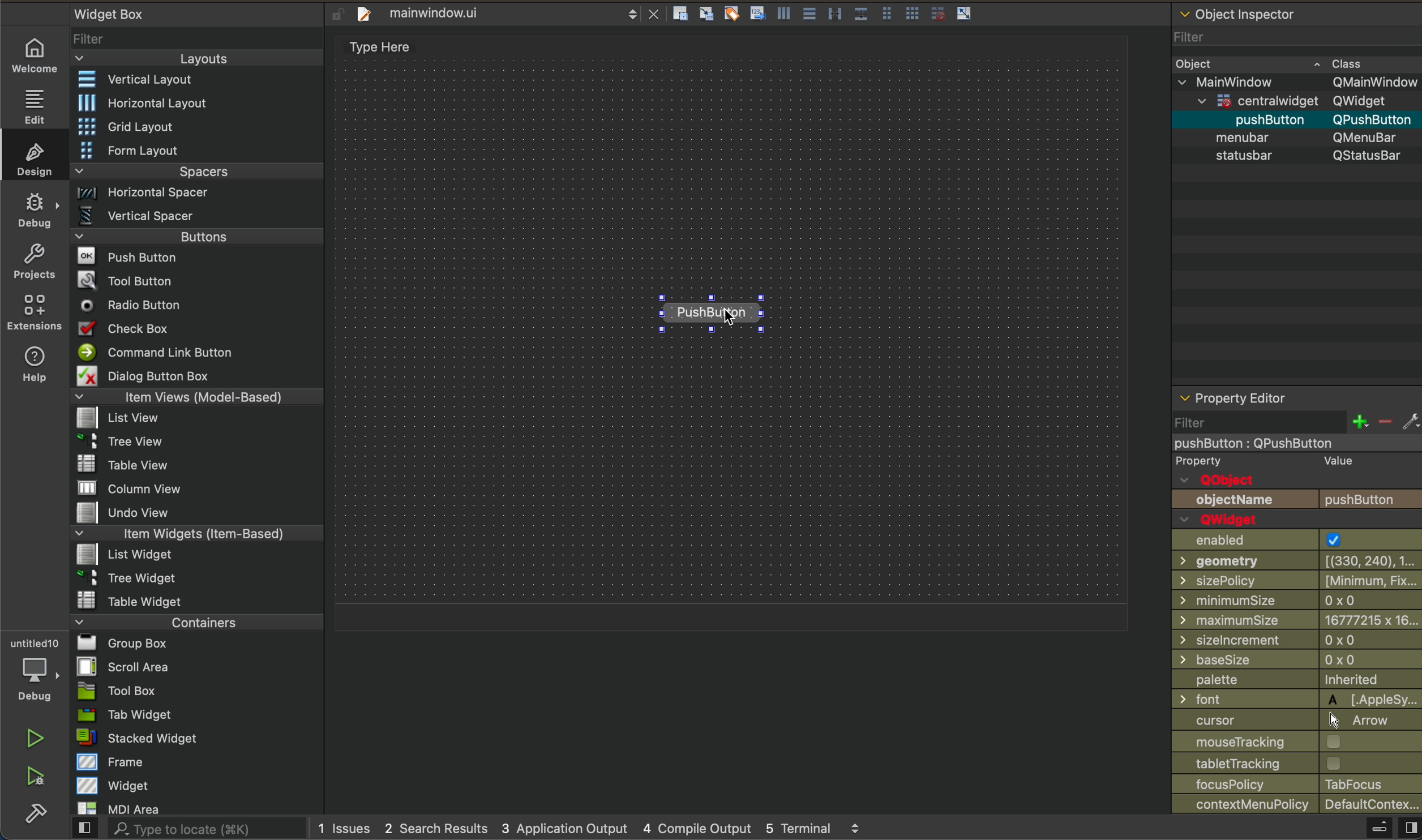  I want to click on size policy, so click(1296, 579).